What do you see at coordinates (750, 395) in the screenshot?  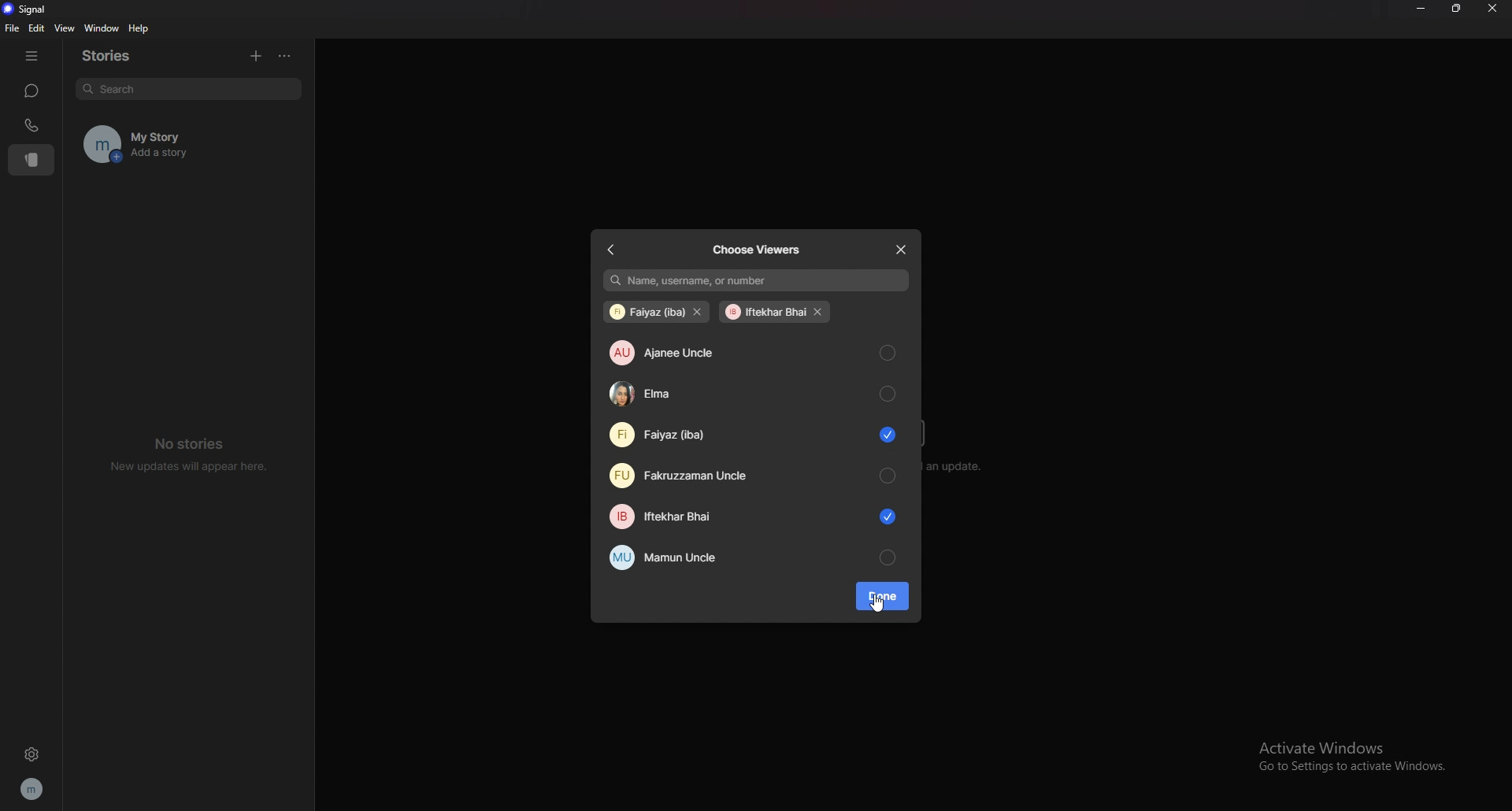 I see `elma` at bounding box center [750, 395].